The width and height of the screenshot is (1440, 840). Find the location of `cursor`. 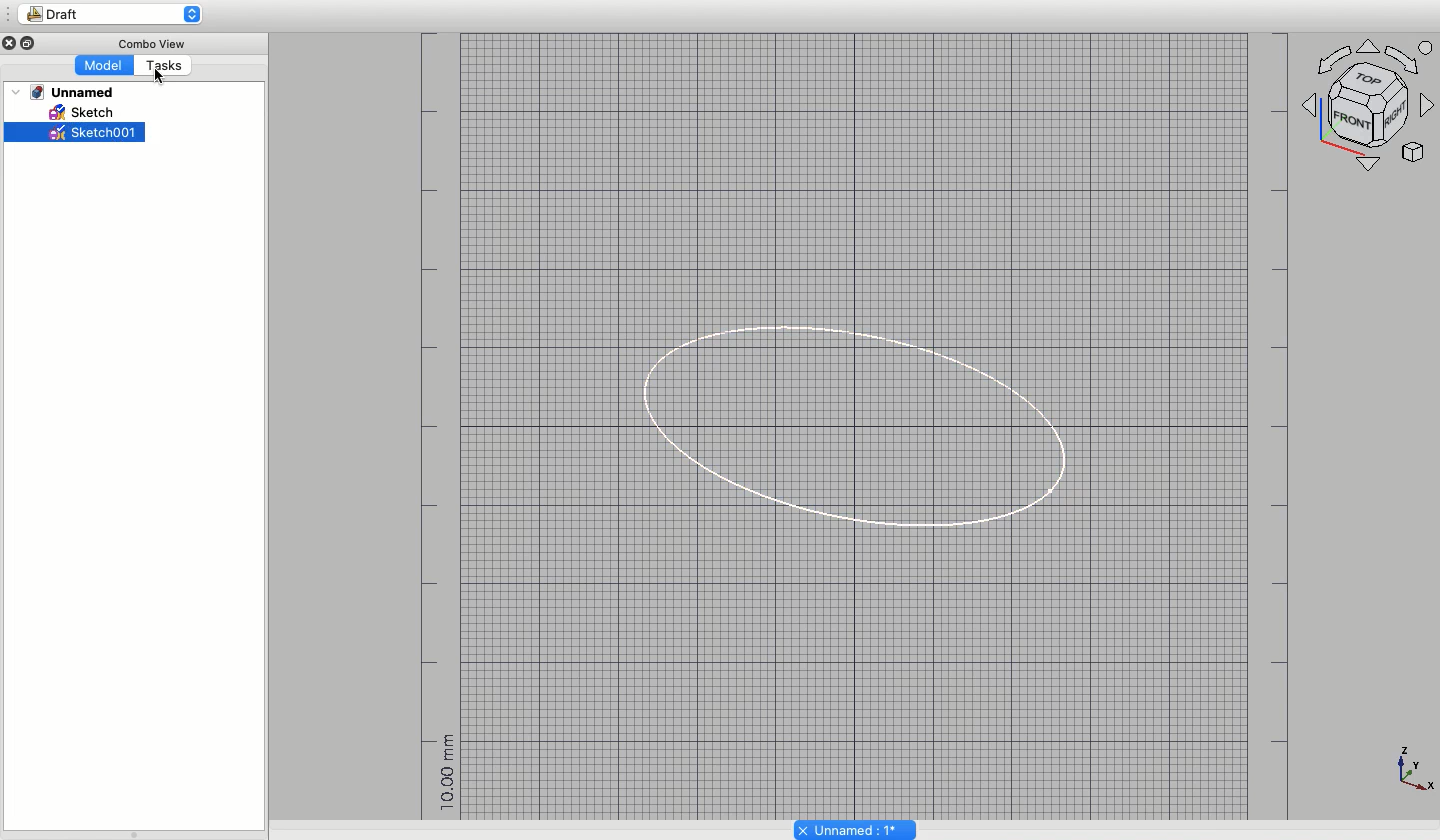

cursor is located at coordinates (161, 76).